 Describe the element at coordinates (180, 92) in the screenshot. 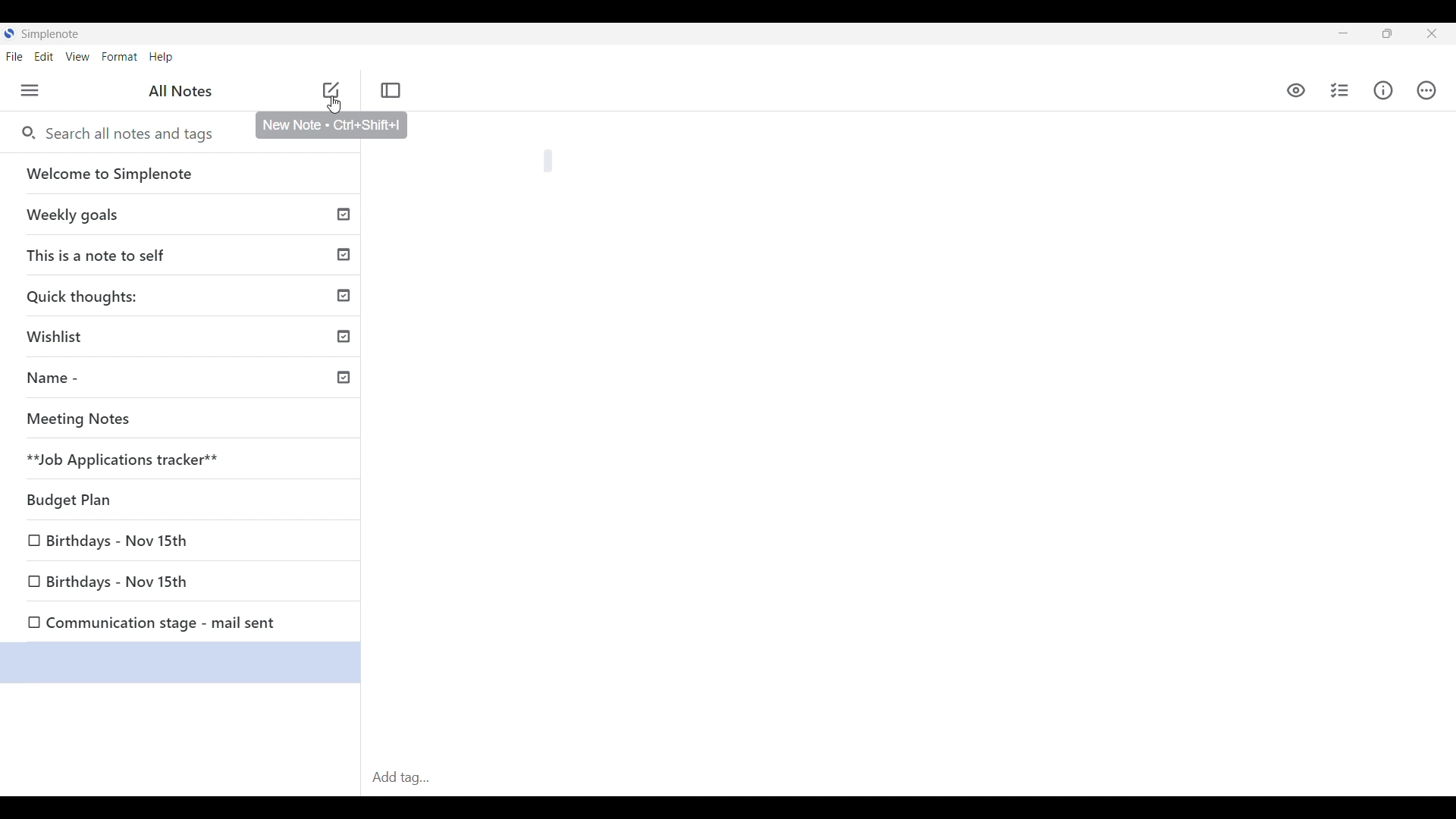

I see `All Notes` at that location.